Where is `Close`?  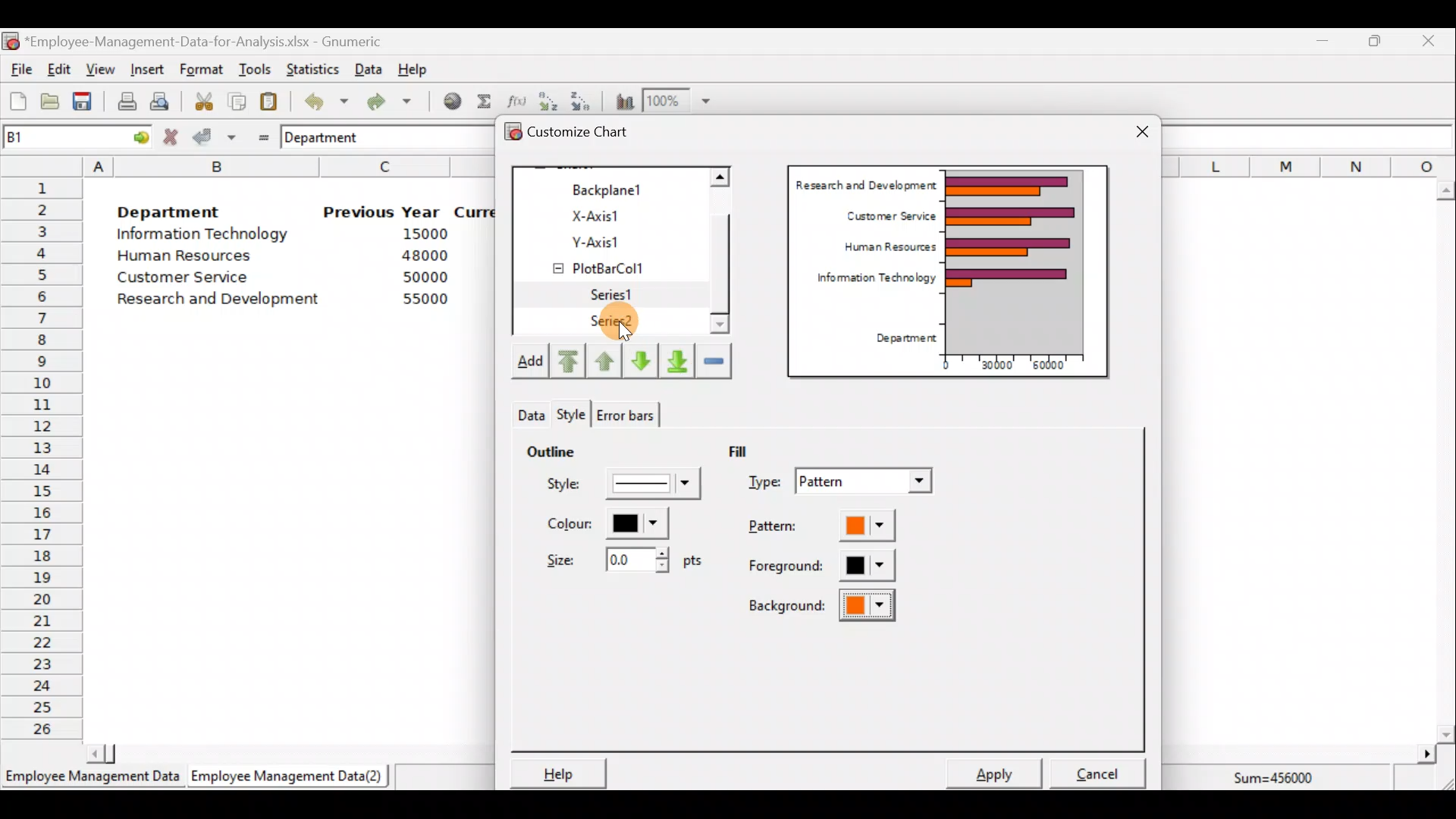 Close is located at coordinates (1427, 43).